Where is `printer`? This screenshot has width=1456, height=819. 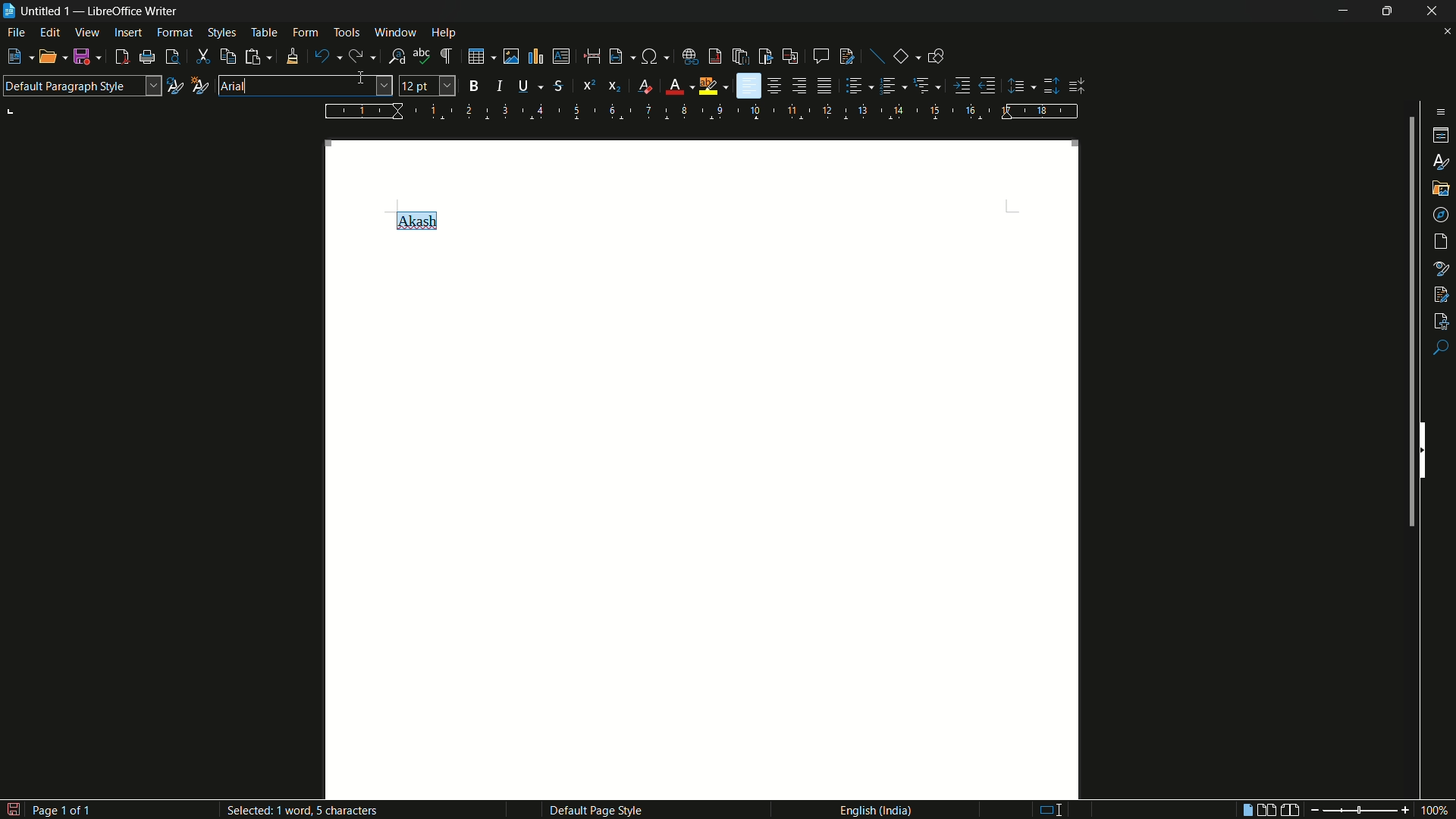 printer is located at coordinates (148, 58).